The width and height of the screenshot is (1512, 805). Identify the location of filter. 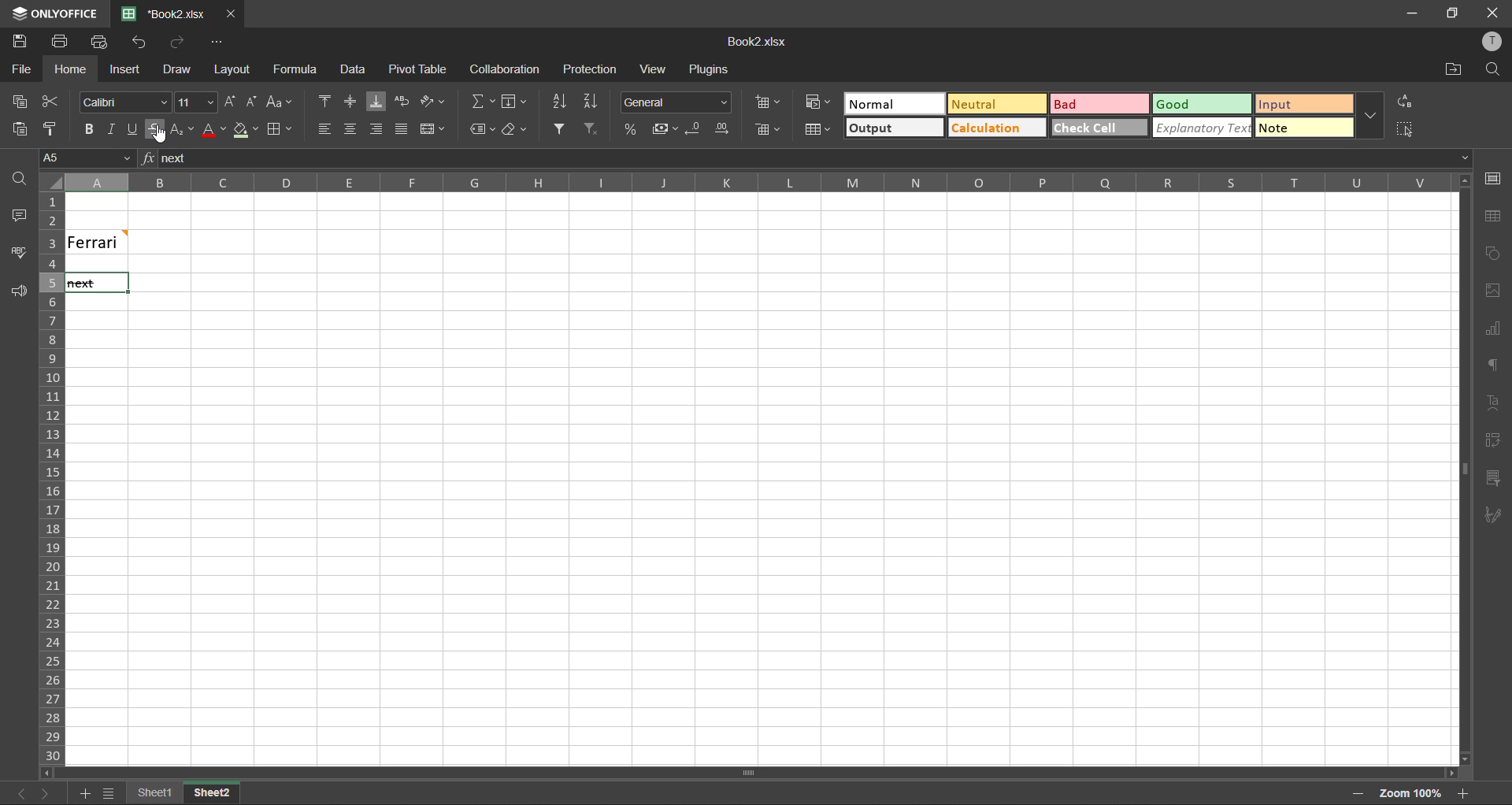
(560, 130).